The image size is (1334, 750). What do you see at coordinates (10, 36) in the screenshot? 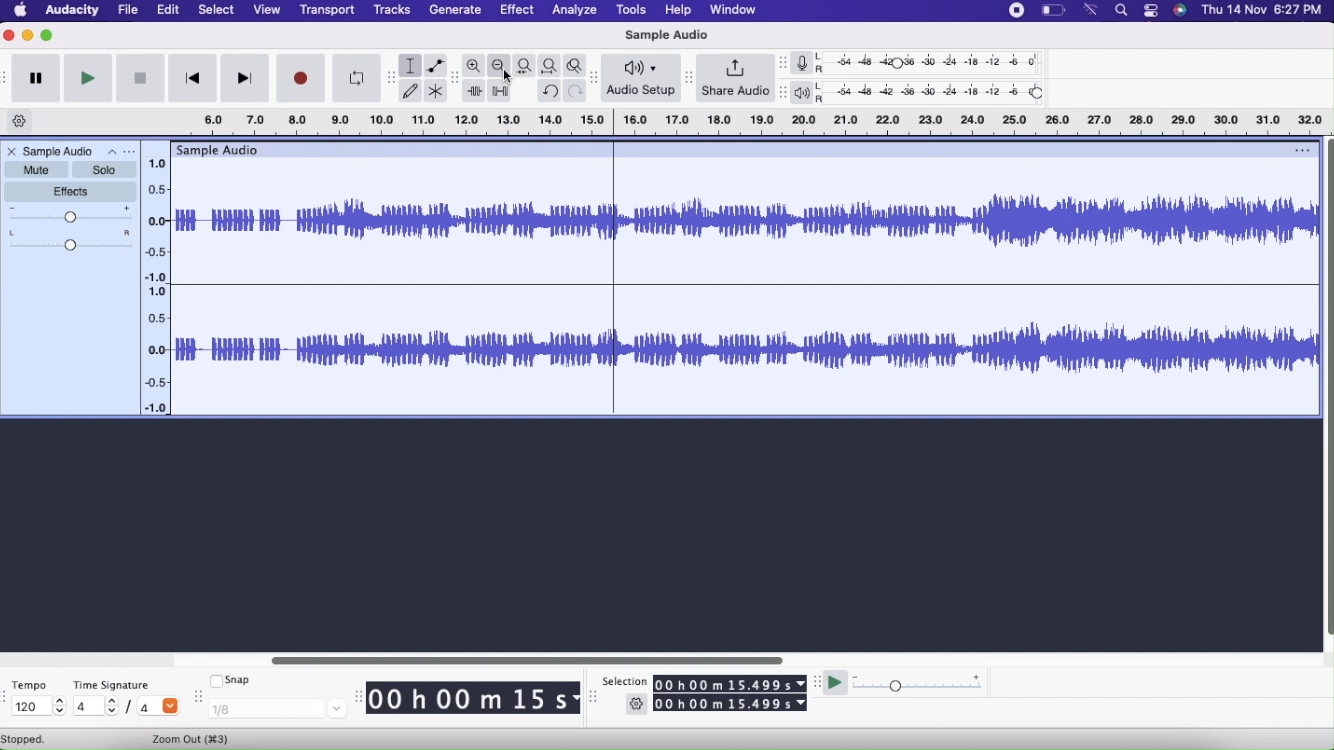
I see `Close` at bounding box center [10, 36].